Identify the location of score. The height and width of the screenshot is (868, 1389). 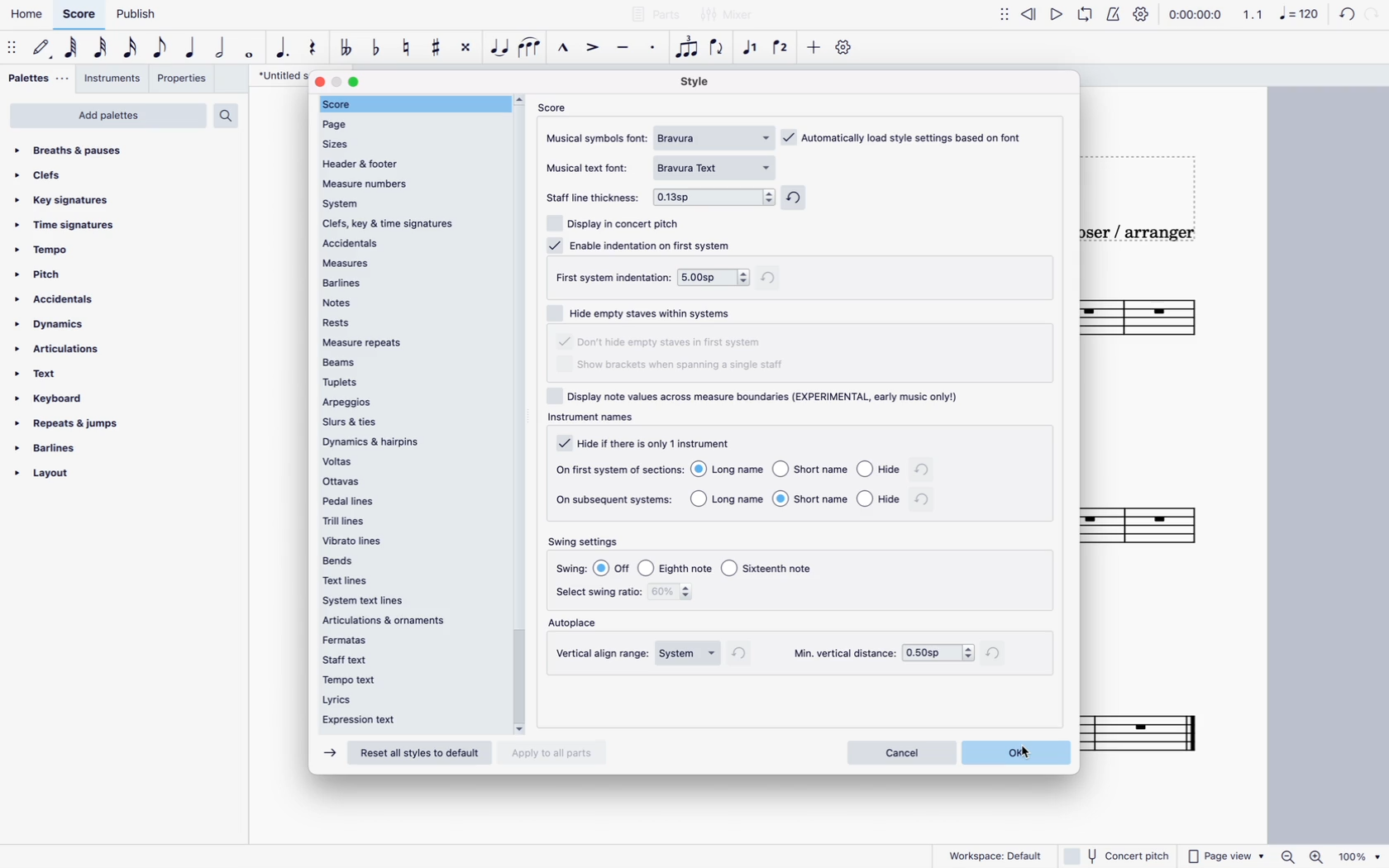
(1147, 317).